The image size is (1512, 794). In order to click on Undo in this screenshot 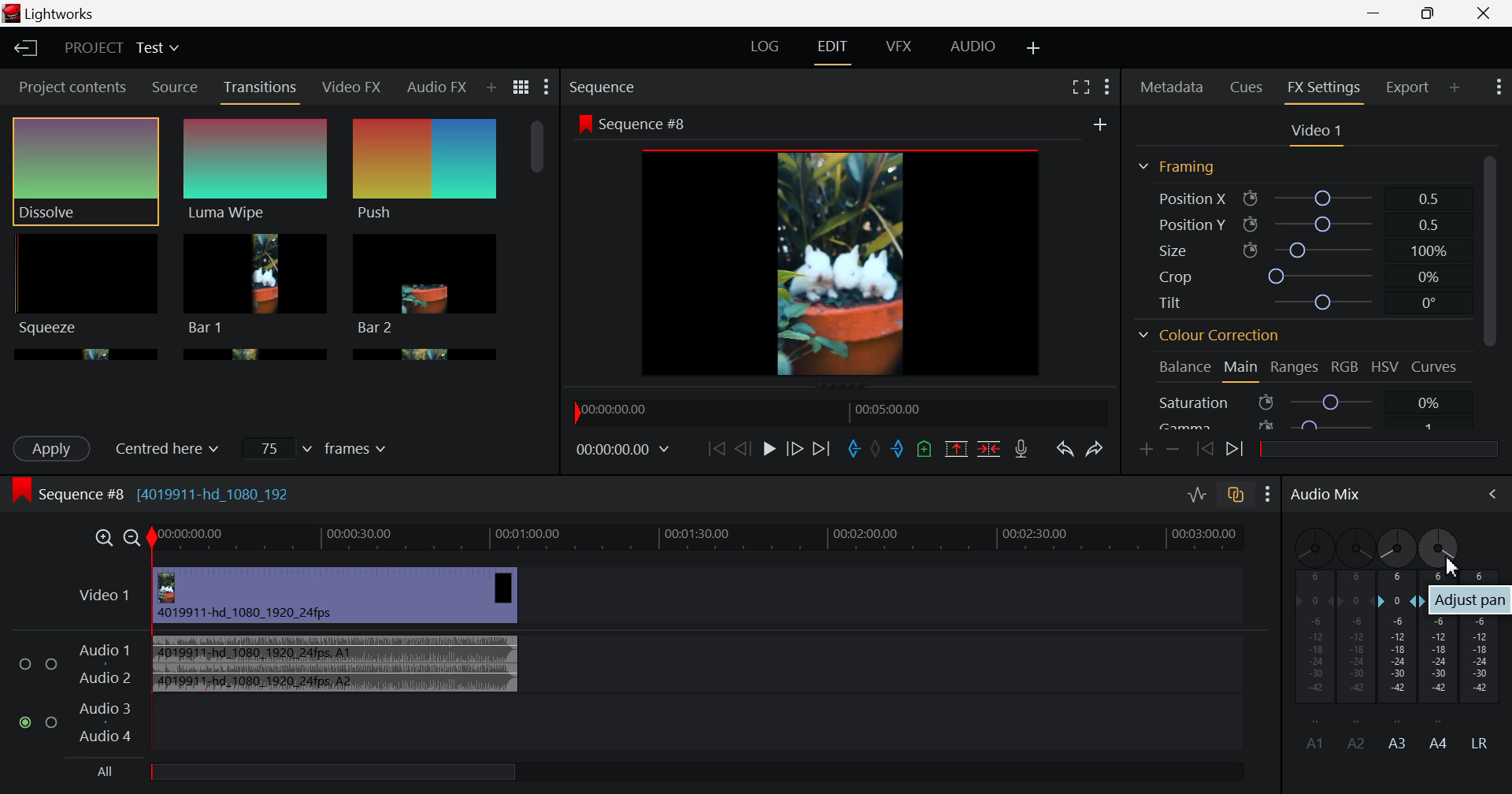, I will do `click(1066, 451)`.